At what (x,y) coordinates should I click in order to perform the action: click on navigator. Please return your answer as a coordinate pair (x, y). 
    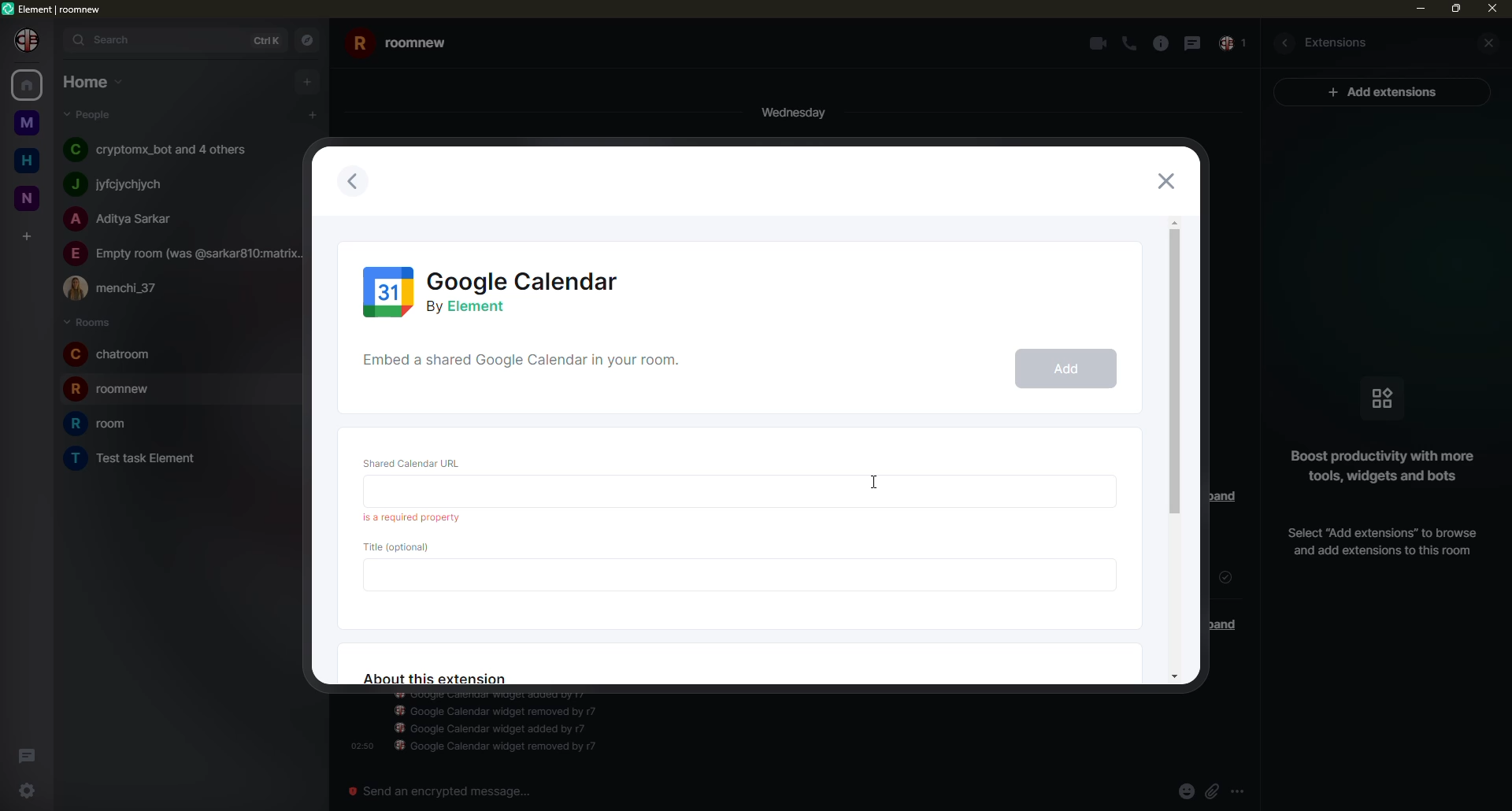
    Looking at the image, I should click on (308, 39).